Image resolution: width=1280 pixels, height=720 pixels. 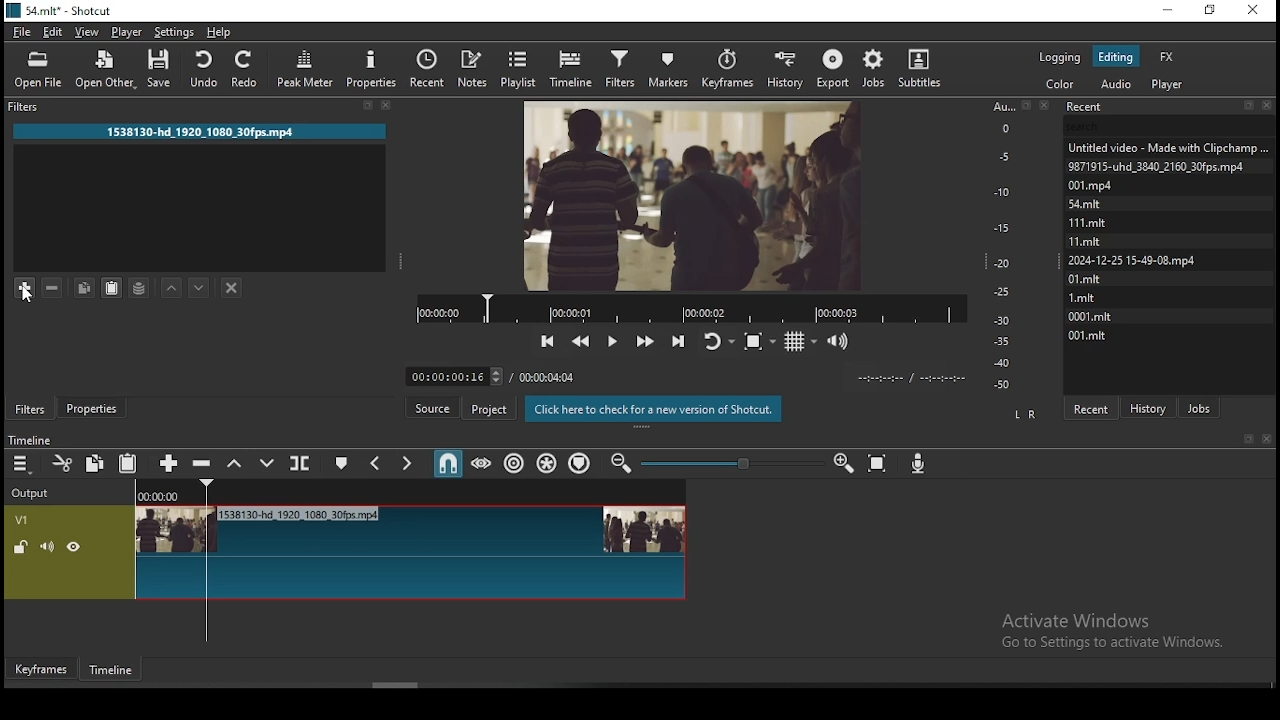 What do you see at coordinates (28, 441) in the screenshot?
I see `timeline` at bounding box center [28, 441].